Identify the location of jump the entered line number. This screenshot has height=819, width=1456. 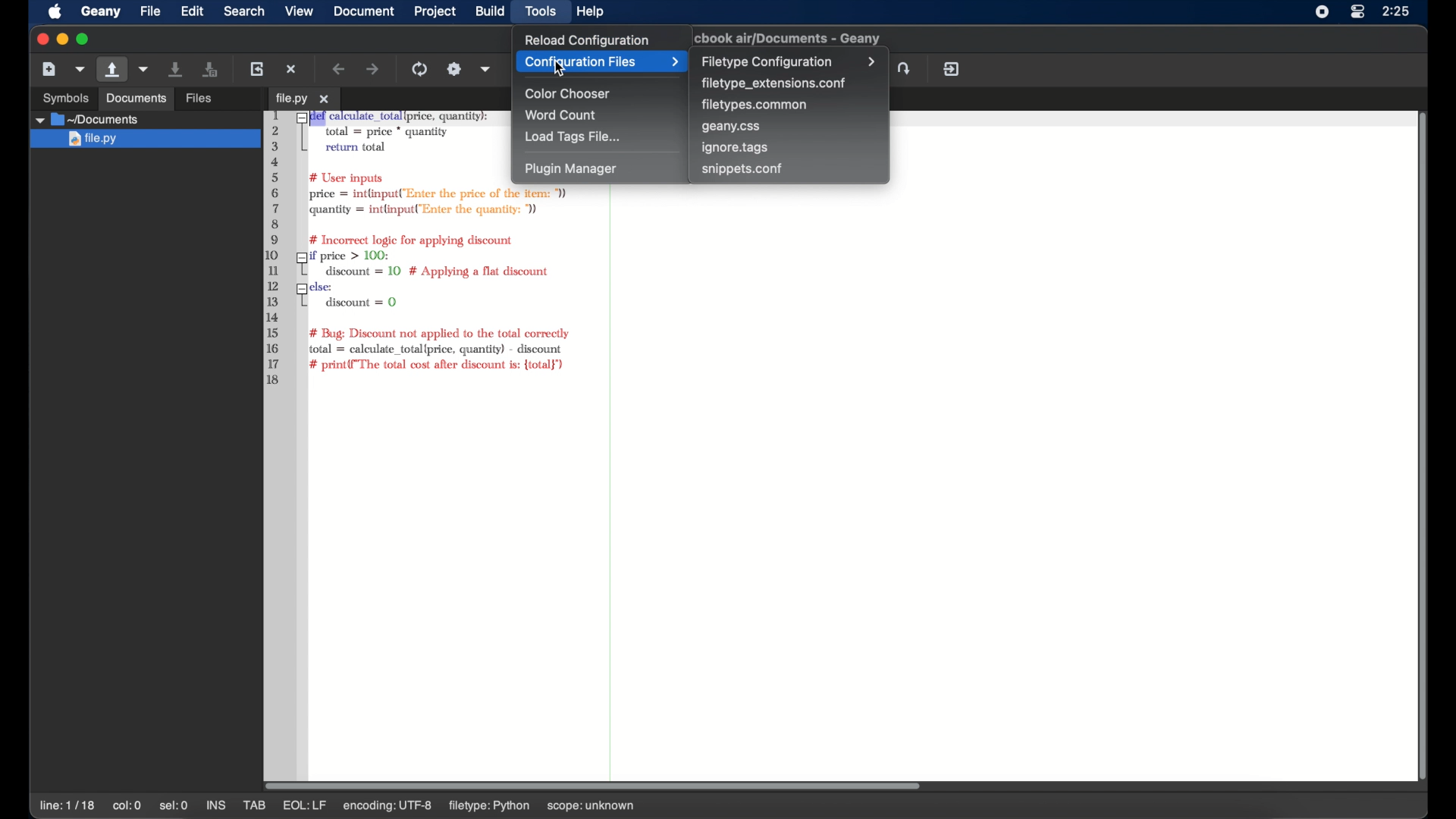
(906, 68).